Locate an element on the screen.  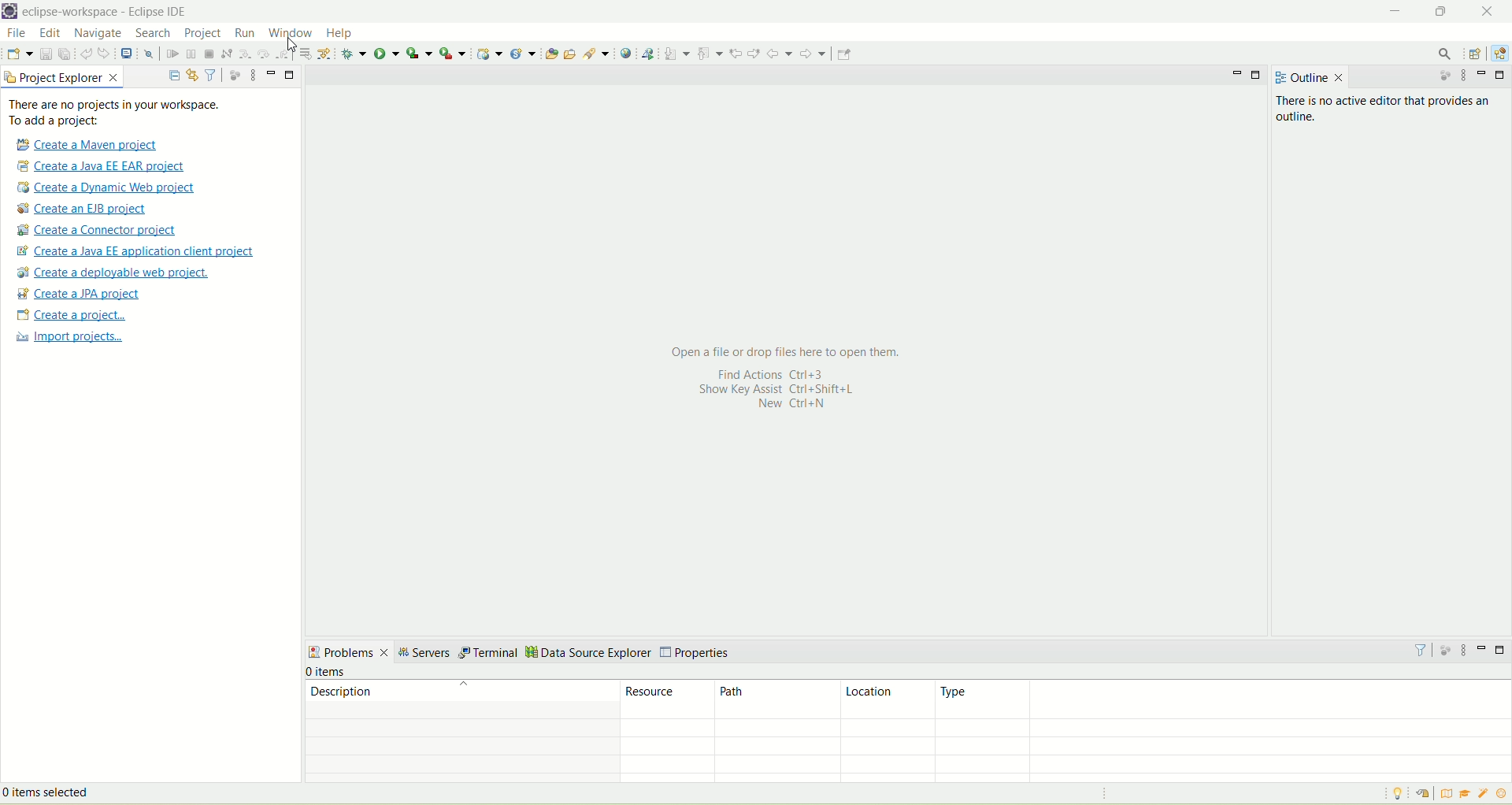
file is located at coordinates (17, 33).